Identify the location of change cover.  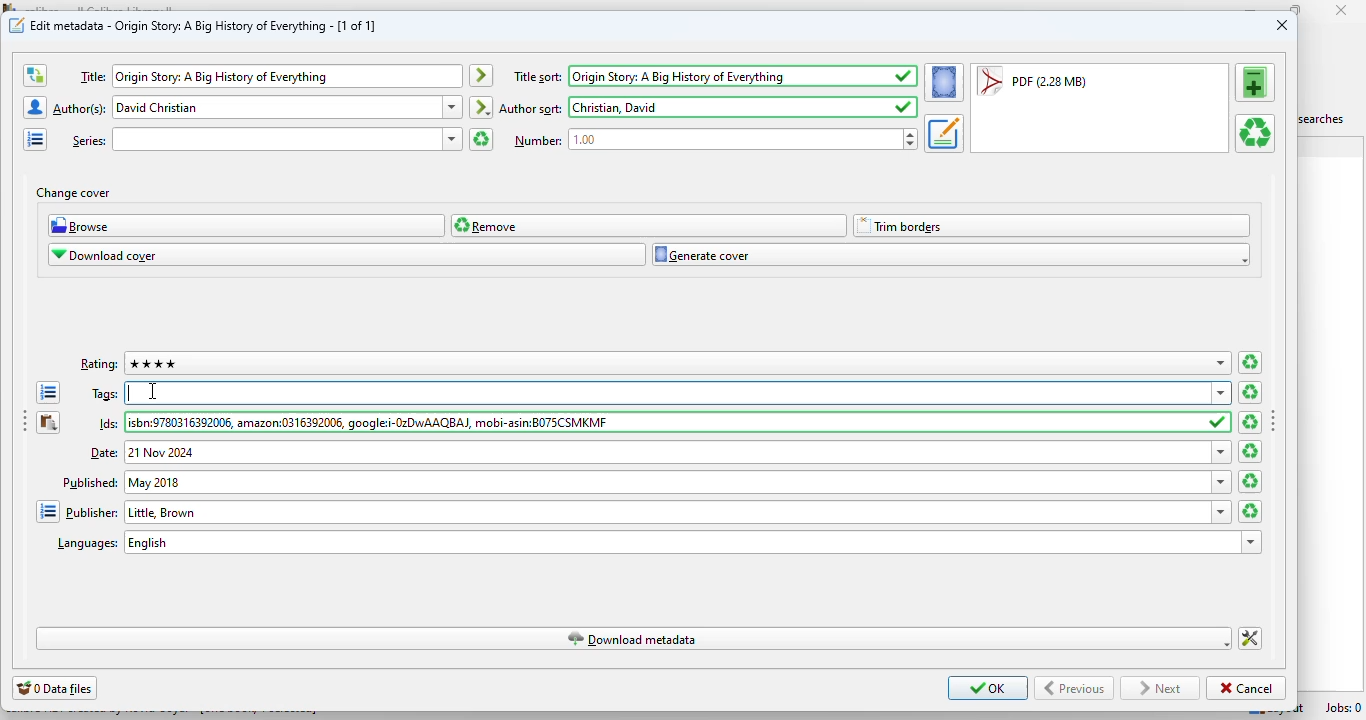
(73, 193).